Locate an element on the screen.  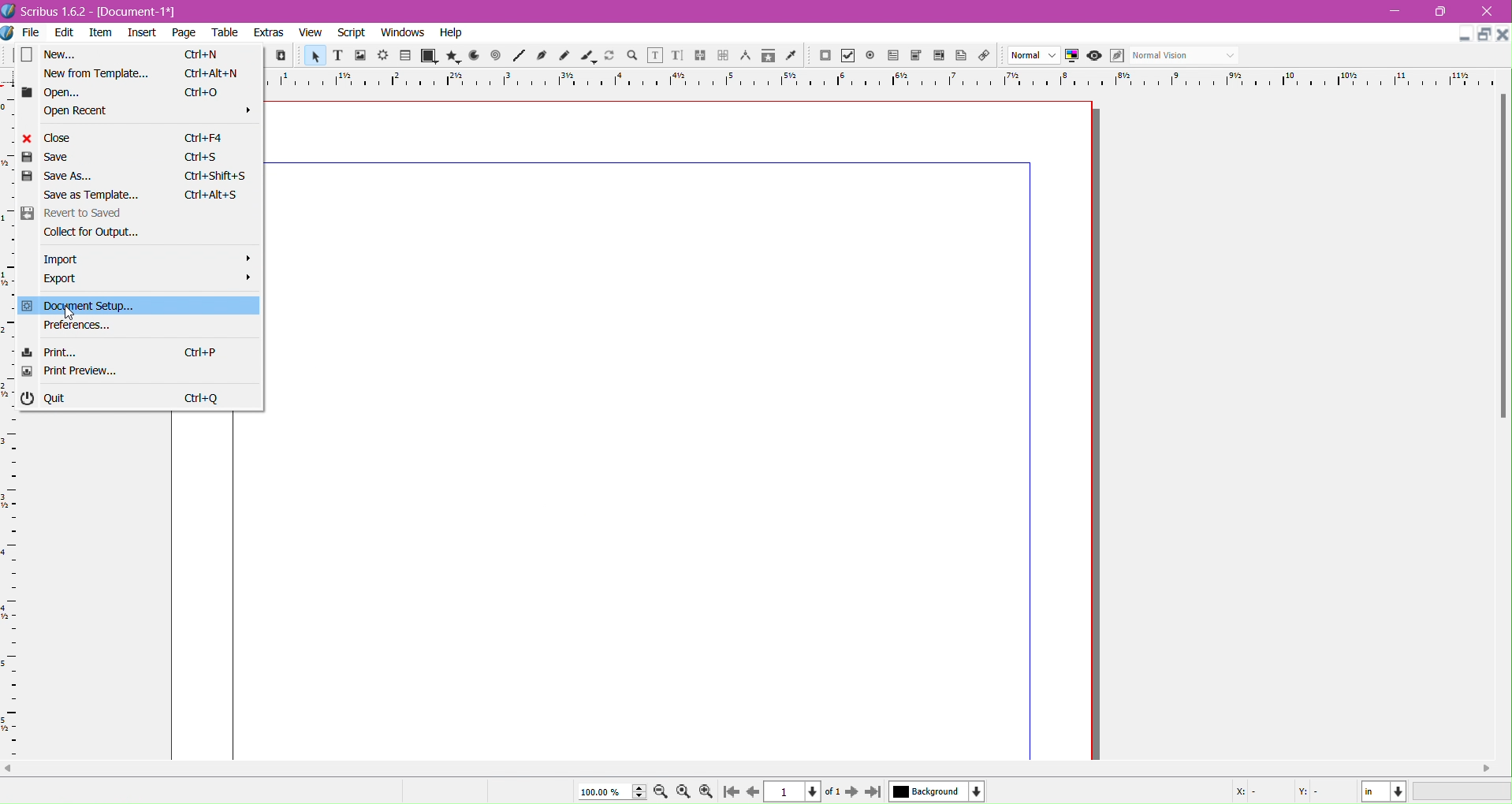
item menu is located at coordinates (102, 34).